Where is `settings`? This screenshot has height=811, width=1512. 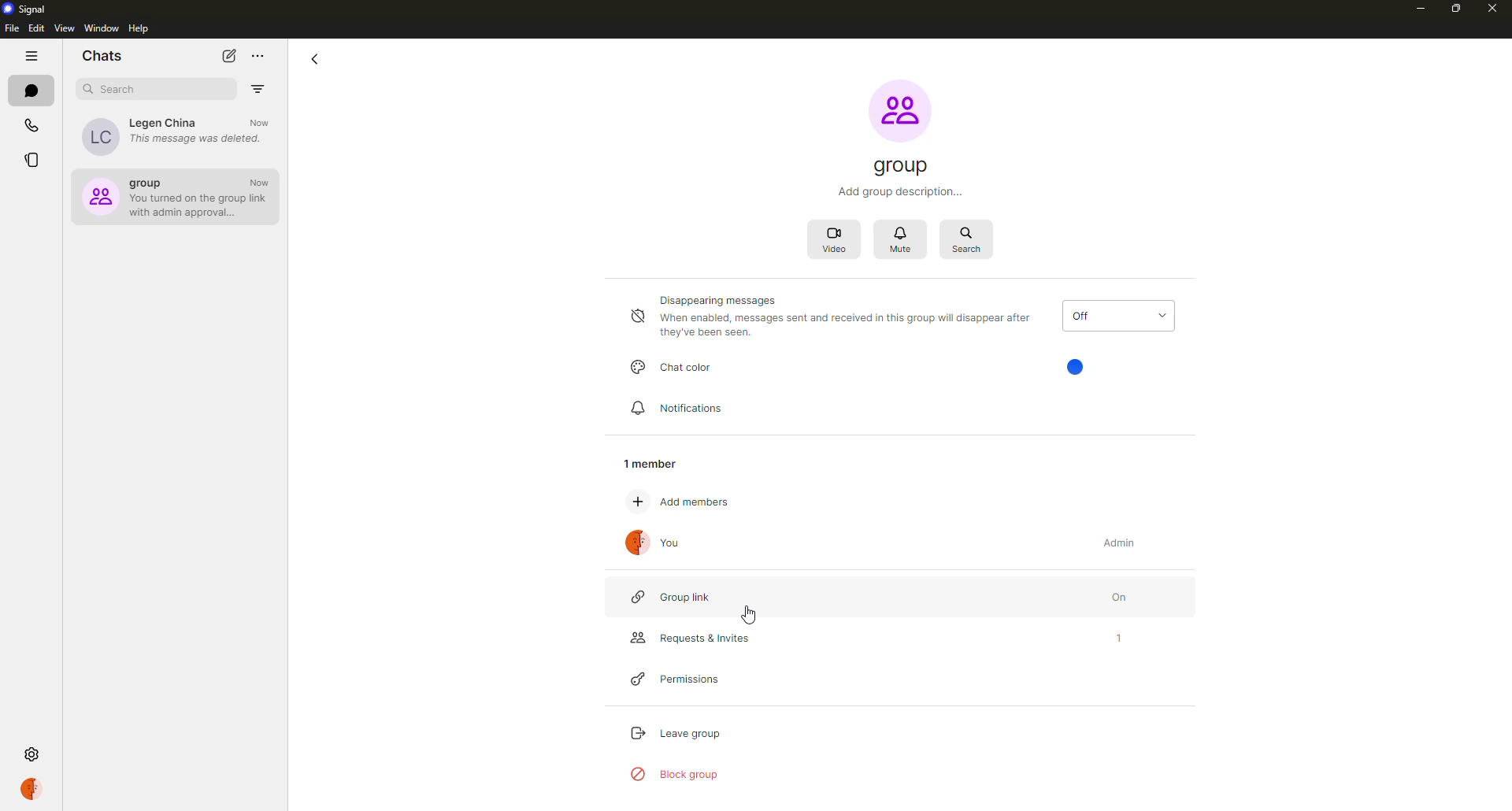 settings is located at coordinates (33, 754).